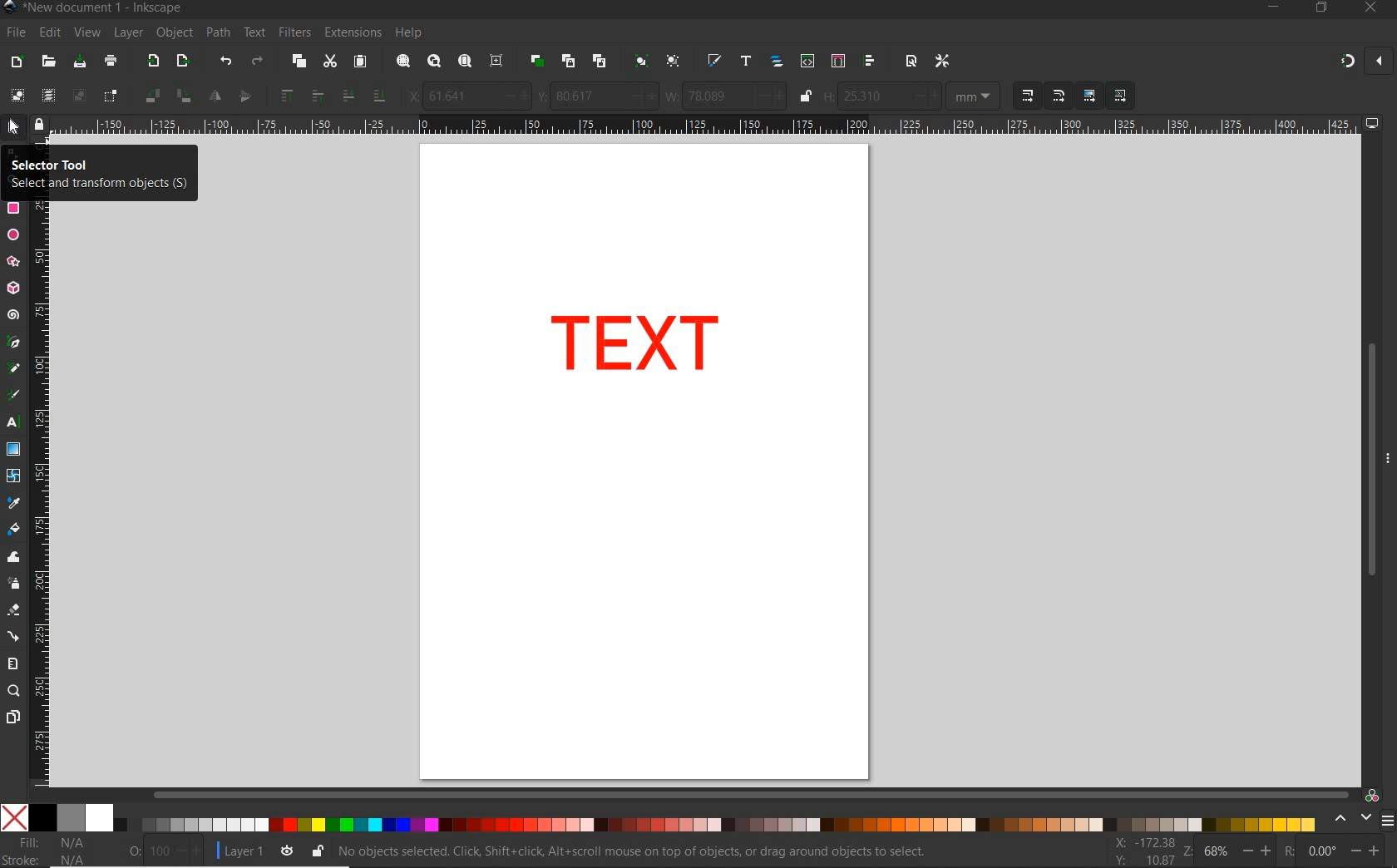  What do you see at coordinates (637, 851) in the screenshot?
I see `no objects selected` at bounding box center [637, 851].